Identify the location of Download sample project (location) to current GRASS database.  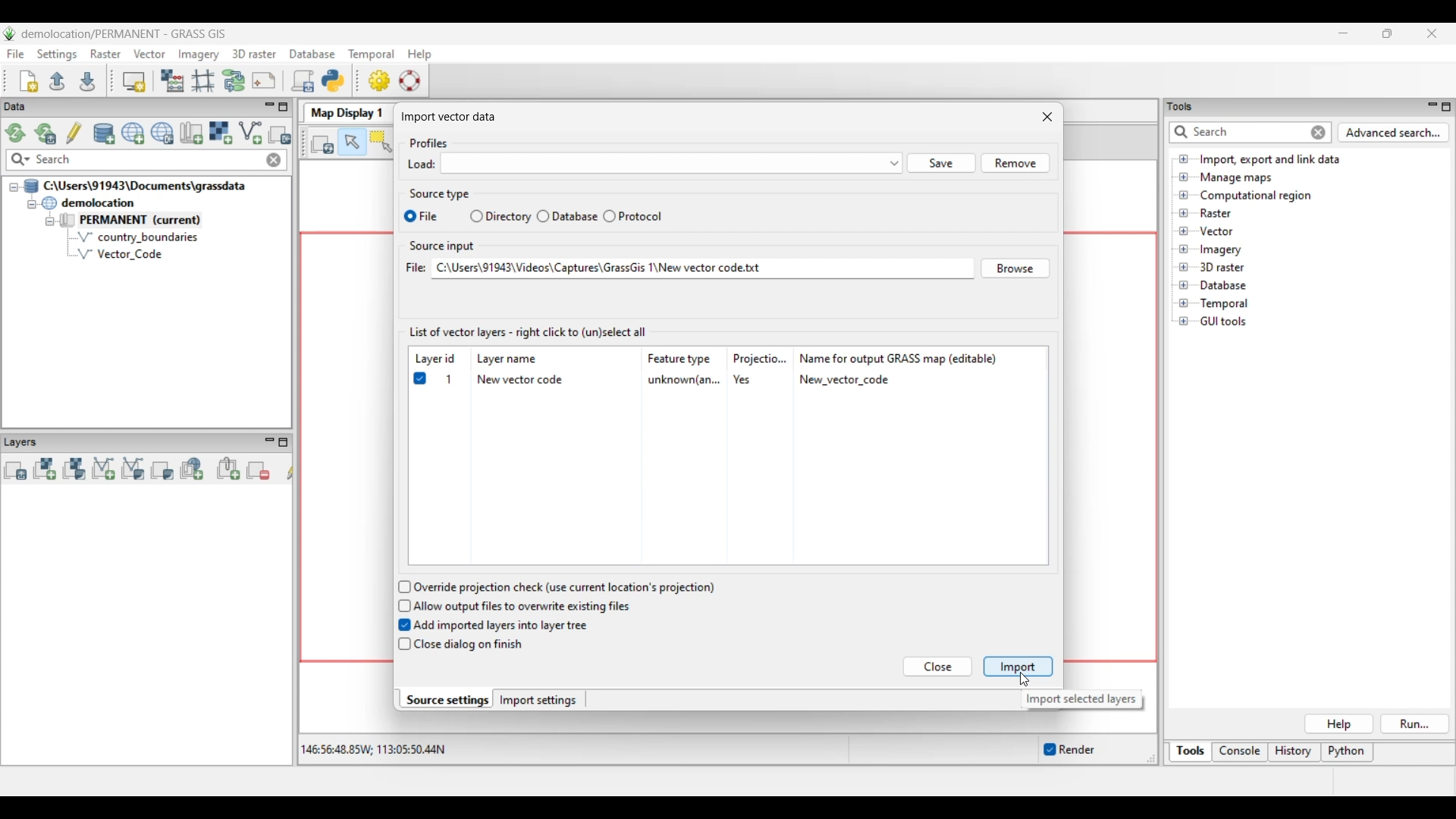
(162, 133).